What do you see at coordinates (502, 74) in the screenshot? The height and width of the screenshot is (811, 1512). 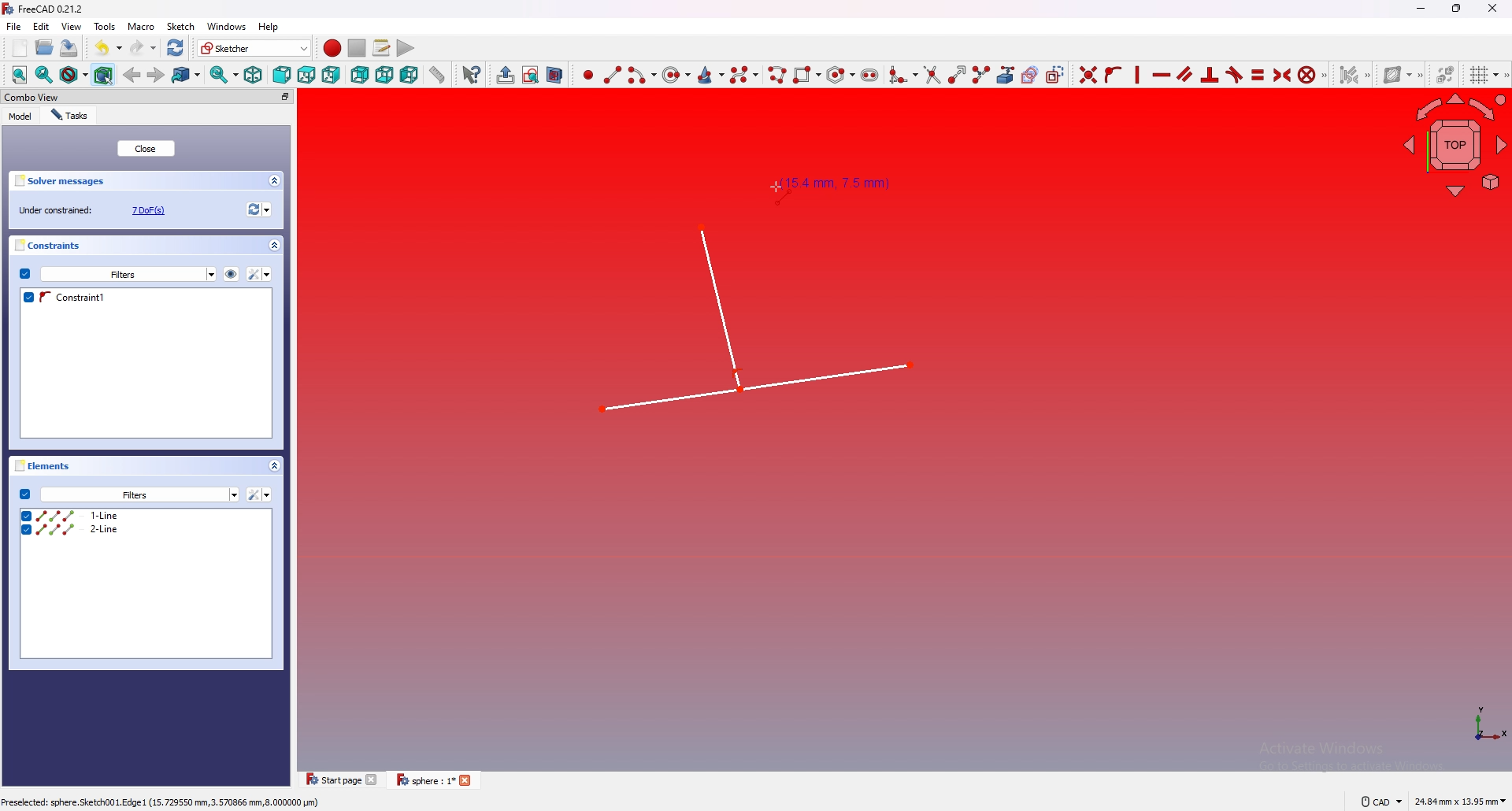 I see `Leave sketch` at bounding box center [502, 74].